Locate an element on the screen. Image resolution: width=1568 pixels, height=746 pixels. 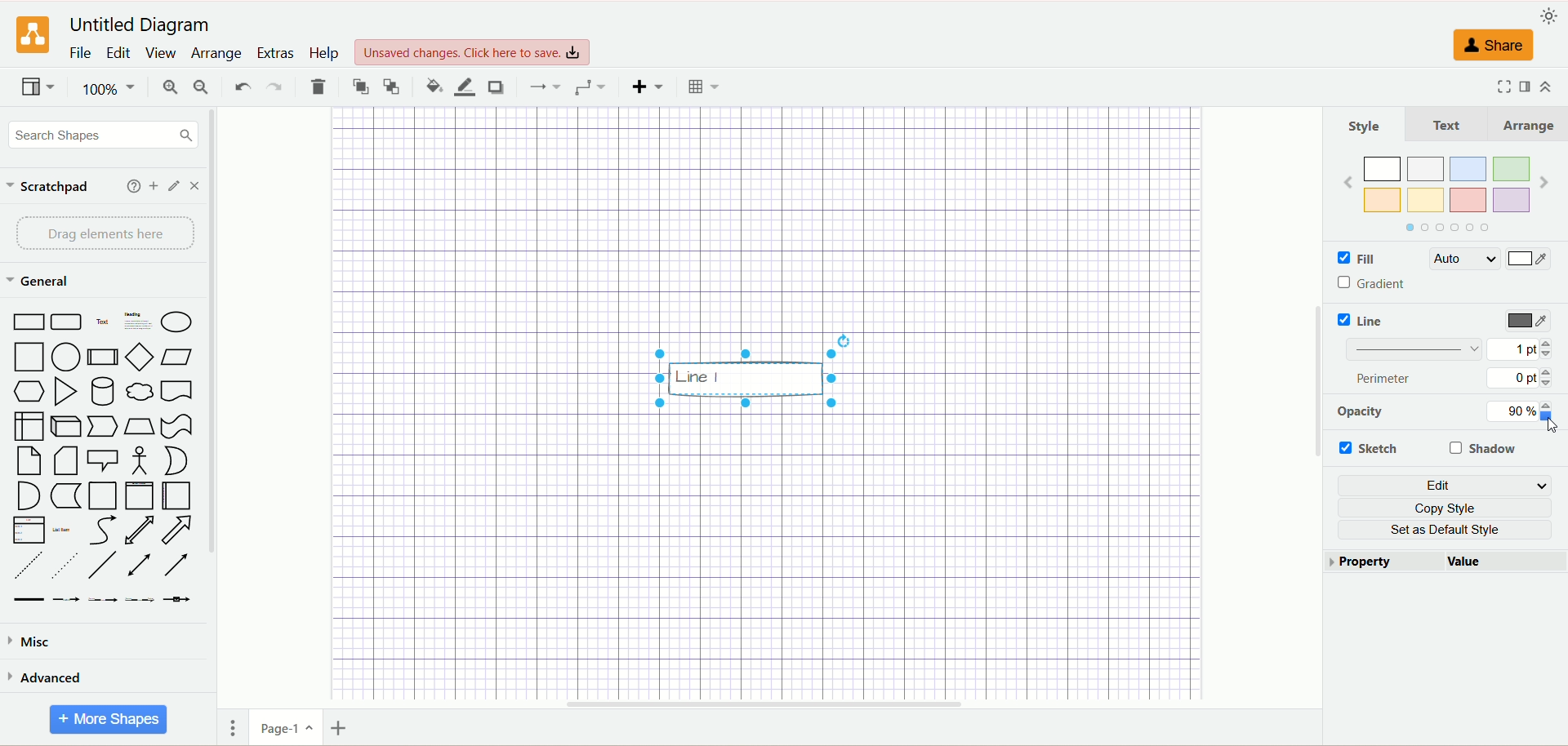
delete is located at coordinates (319, 87).